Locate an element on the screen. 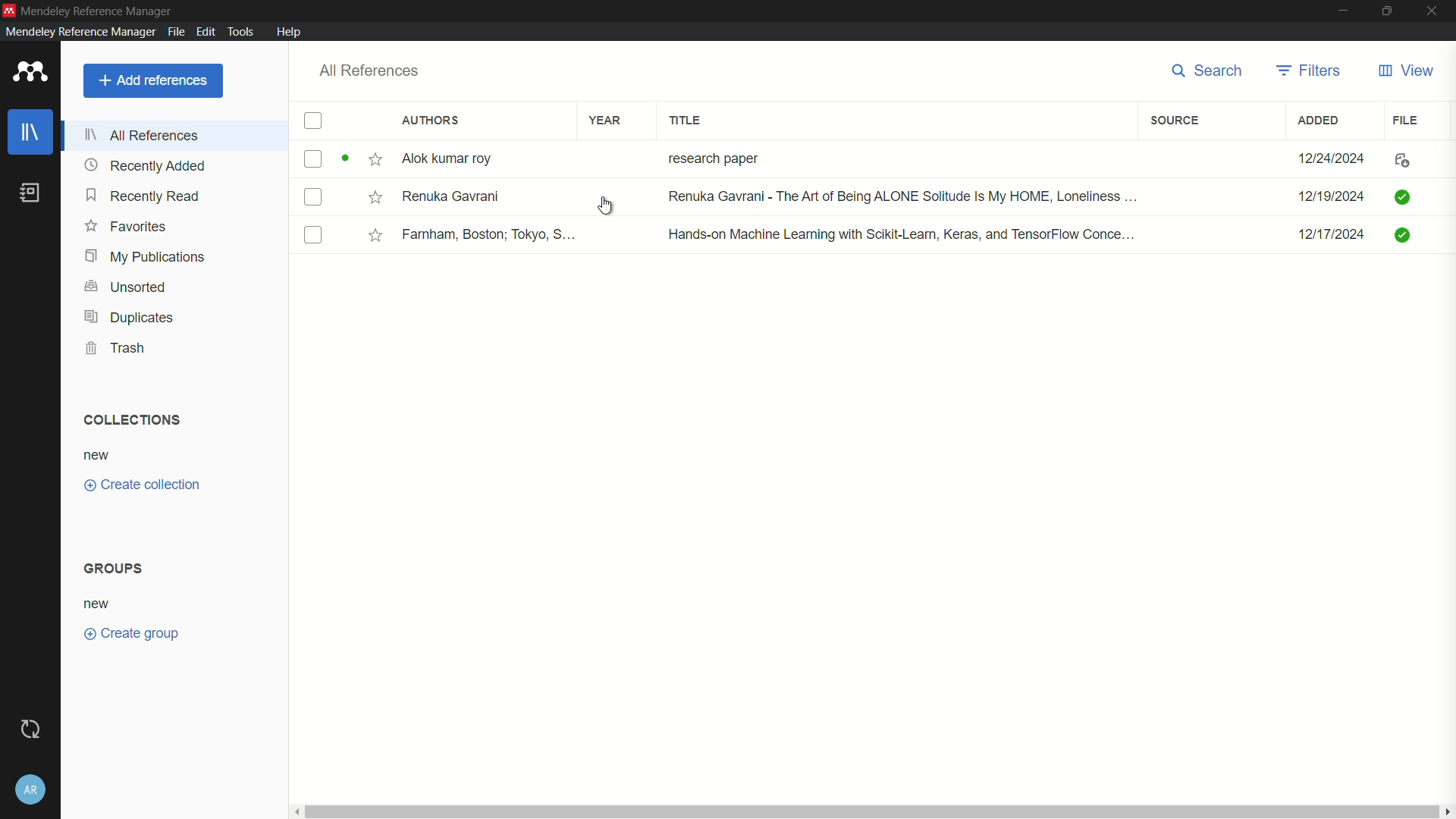 This screenshot has width=1456, height=819. minimize is located at coordinates (1341, 11).